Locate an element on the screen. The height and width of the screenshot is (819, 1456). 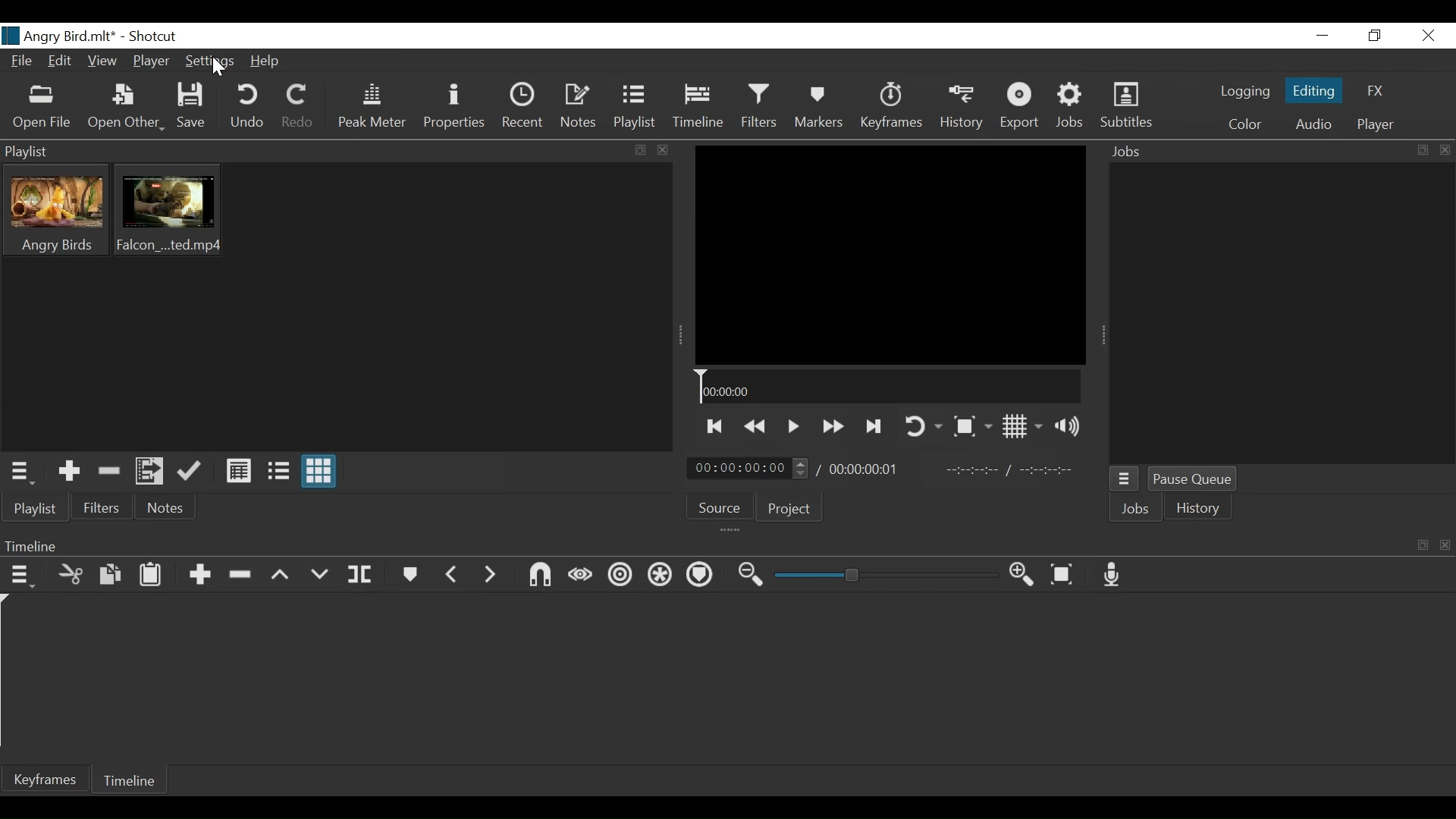
Editing is located at coordinates (1313, 90).